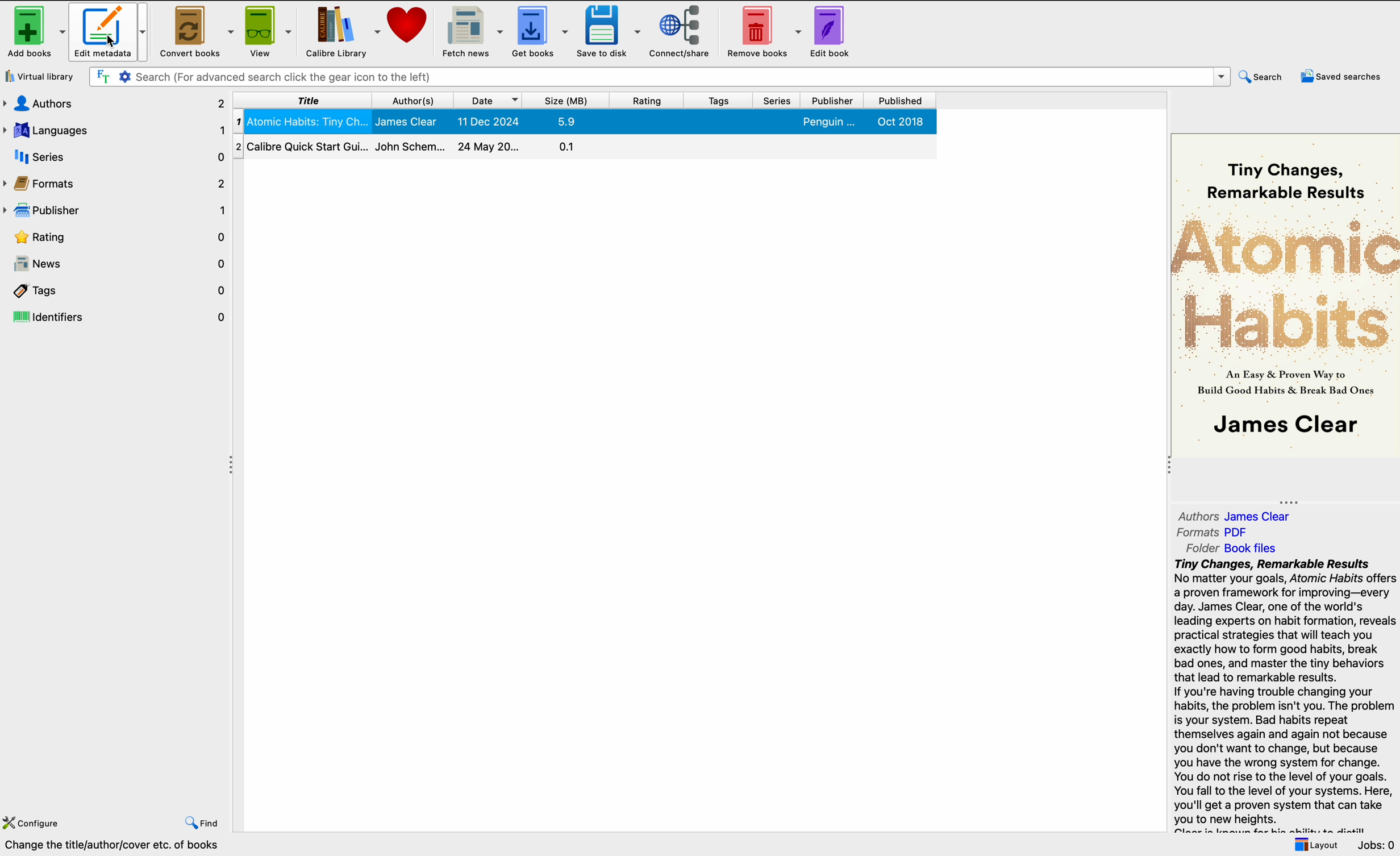  I want to click on cover book, so click(1285, 293).